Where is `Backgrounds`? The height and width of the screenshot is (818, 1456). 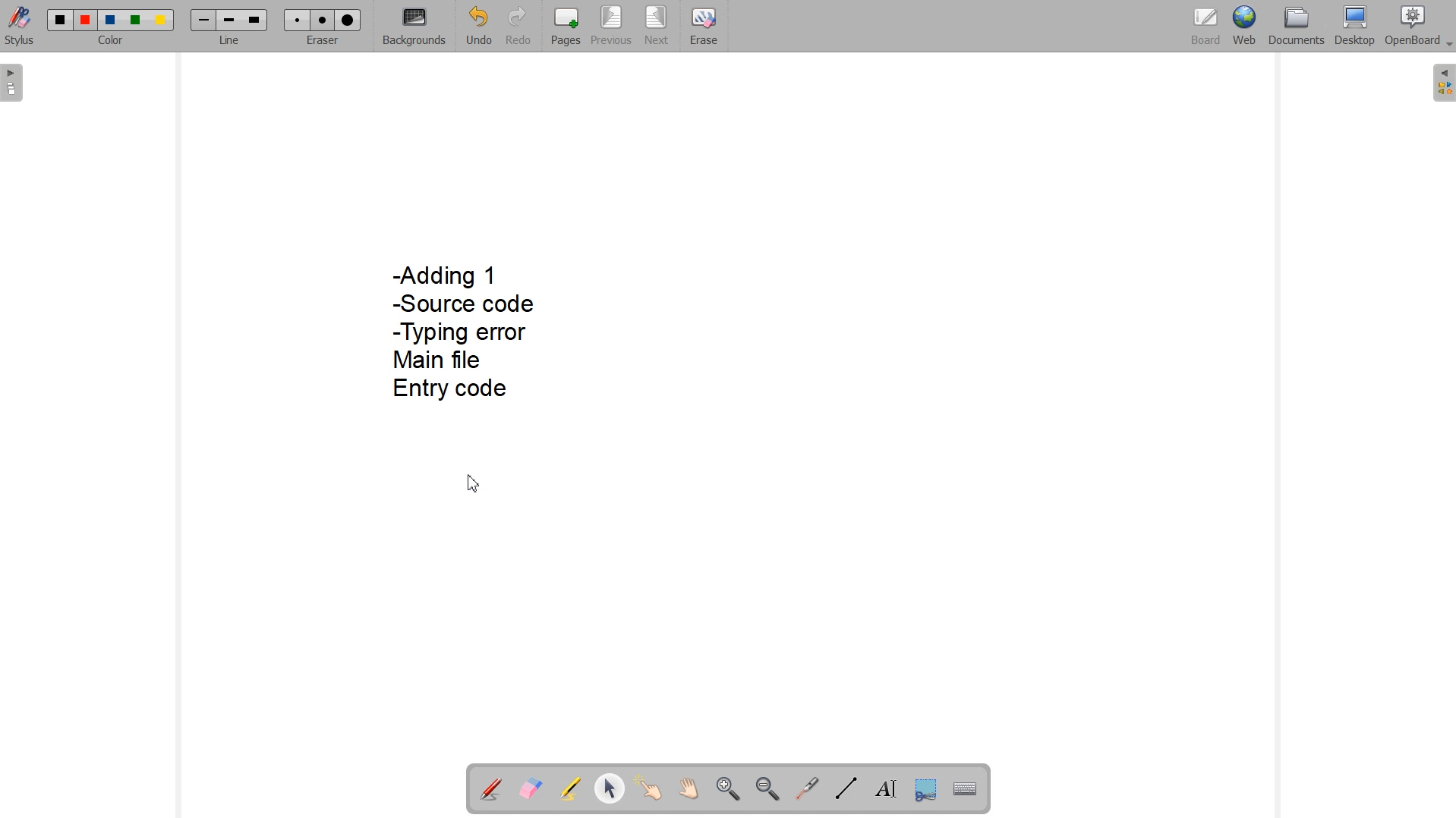
Backgrounds is located at coordinates (414, 27).